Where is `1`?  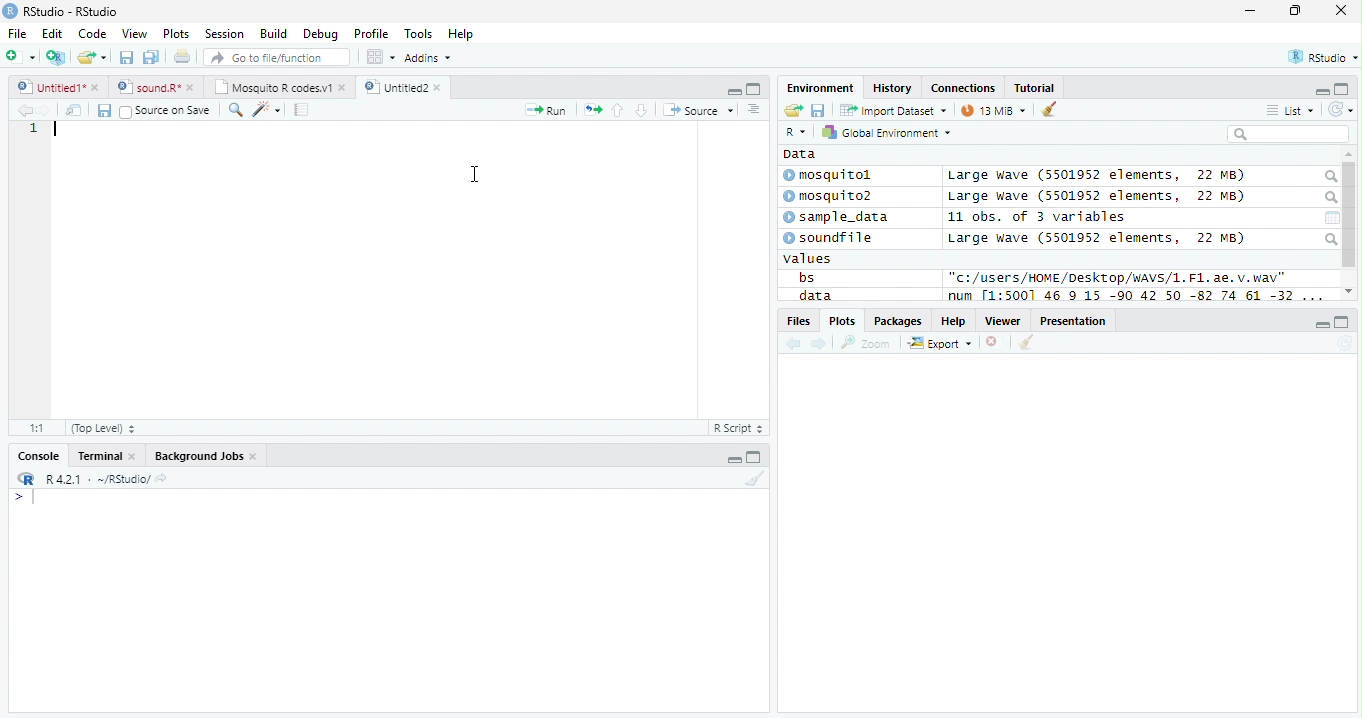 1 is located at coordinates (33, 130).